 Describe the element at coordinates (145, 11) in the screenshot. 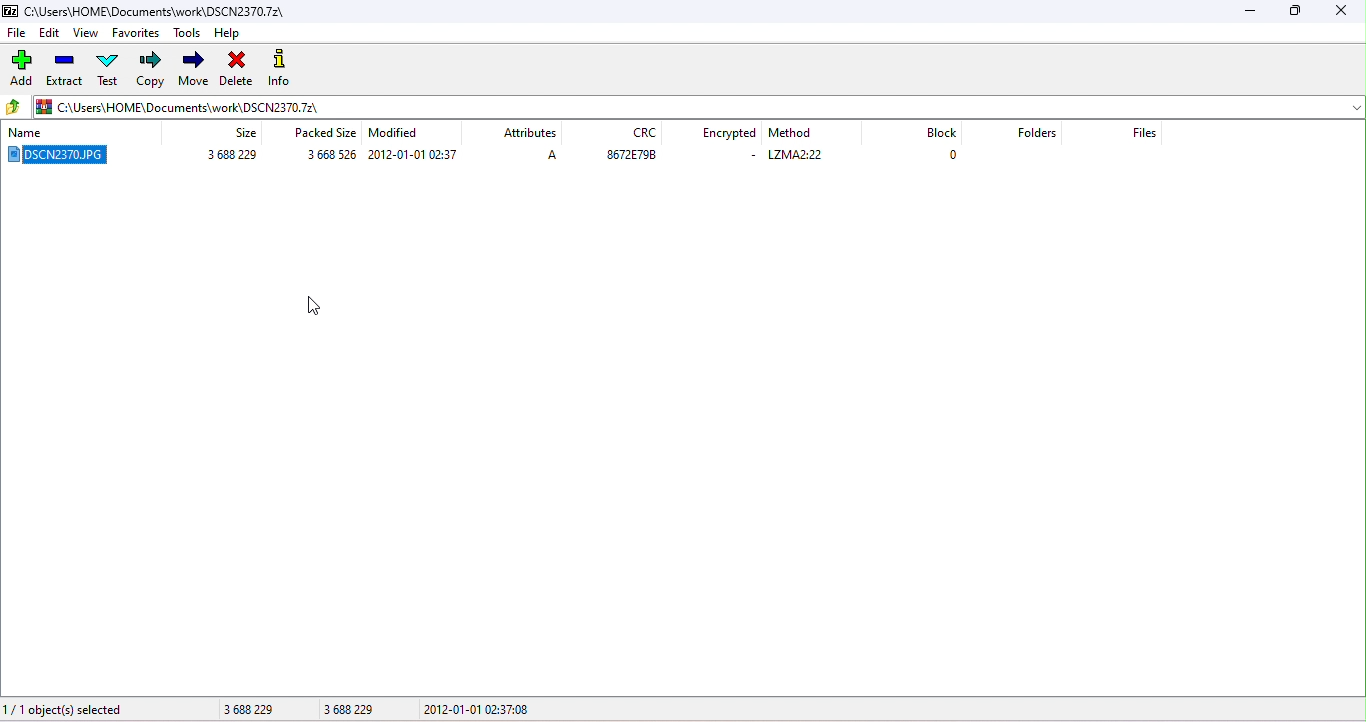

I see `c\users\home\documents\work\dscn2370.7z\` at that location.